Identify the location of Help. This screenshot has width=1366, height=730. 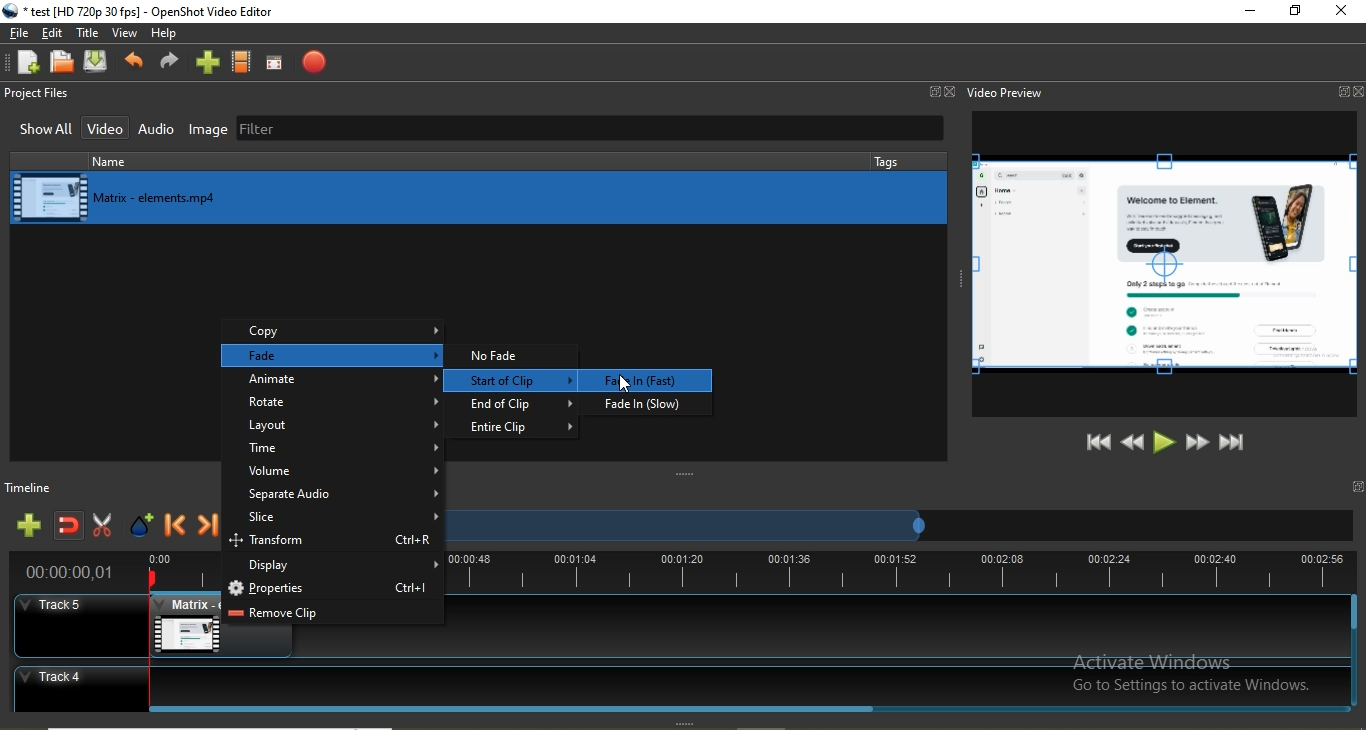
(167, 35).